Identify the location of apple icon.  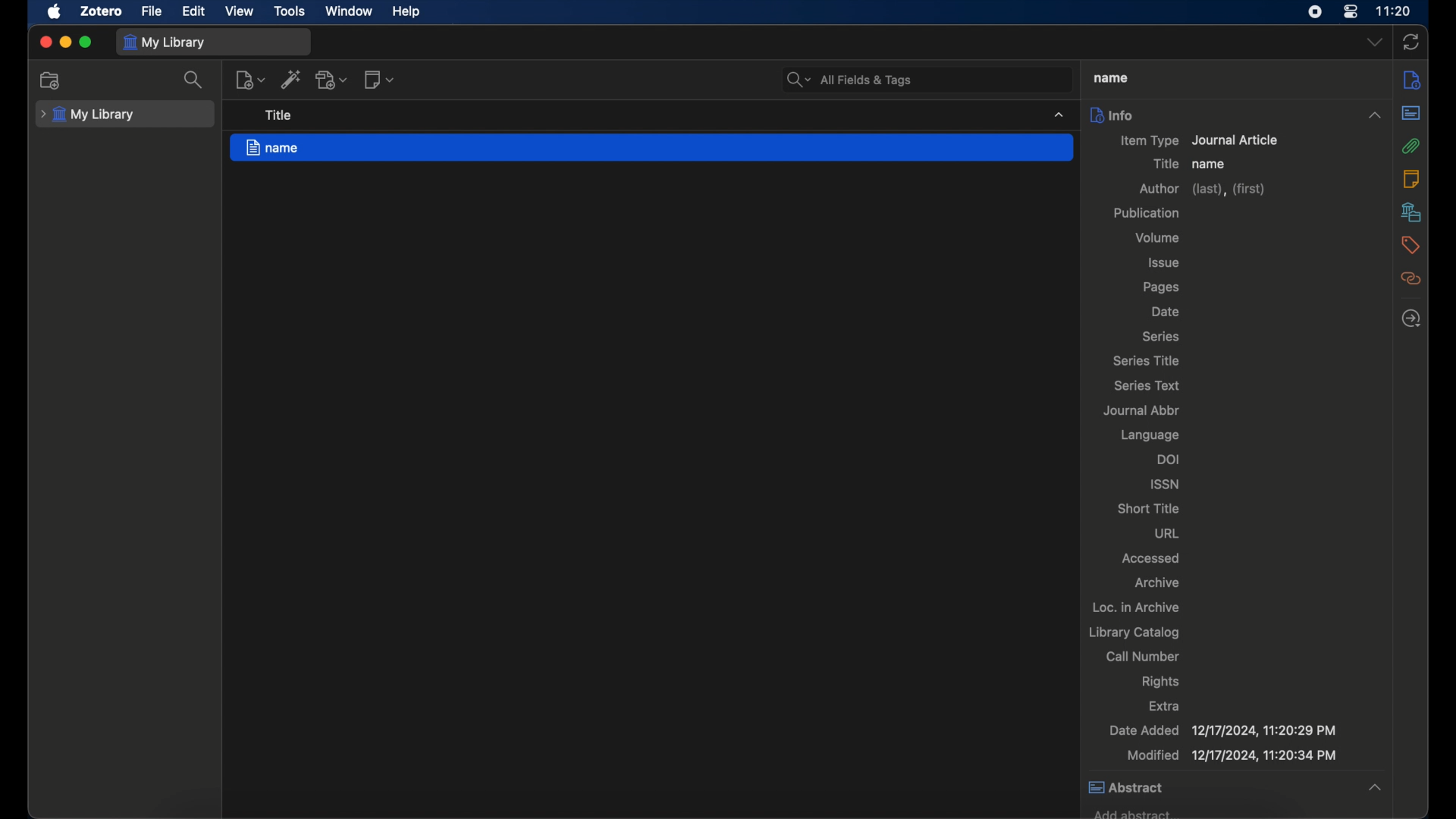
(55, 12).